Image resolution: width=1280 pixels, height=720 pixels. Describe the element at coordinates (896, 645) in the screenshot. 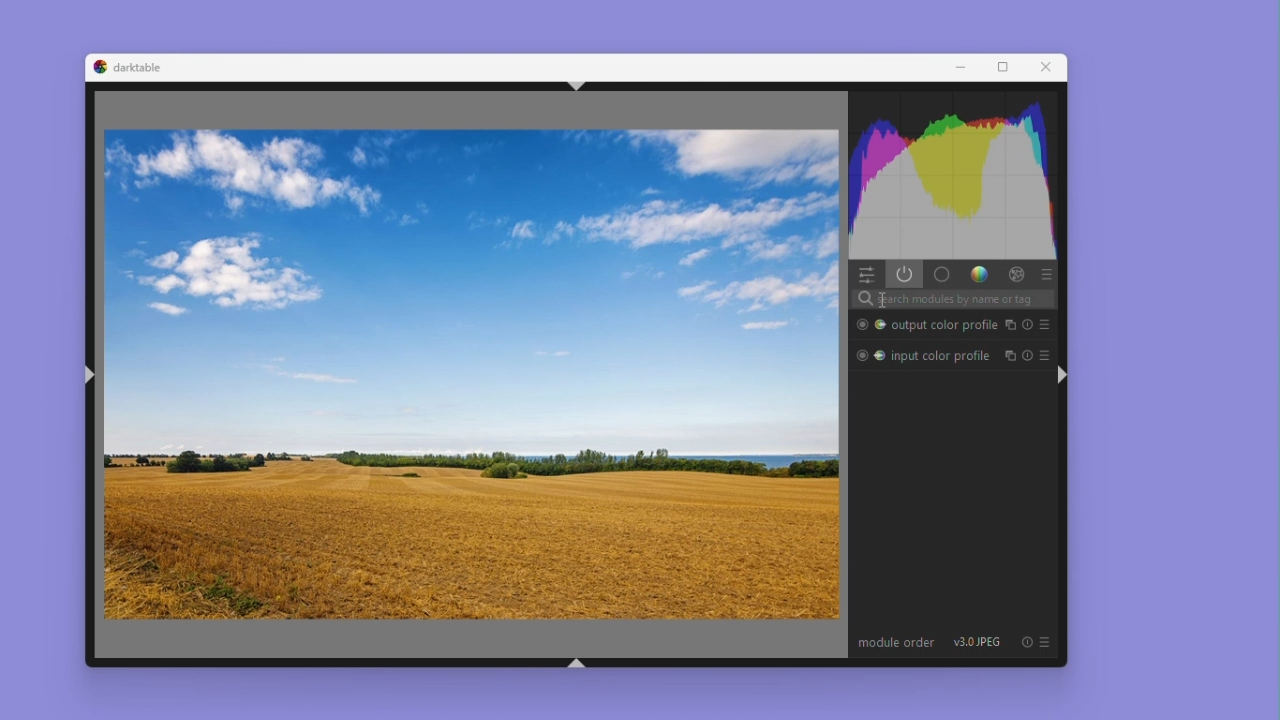

I see `module order` at that location.